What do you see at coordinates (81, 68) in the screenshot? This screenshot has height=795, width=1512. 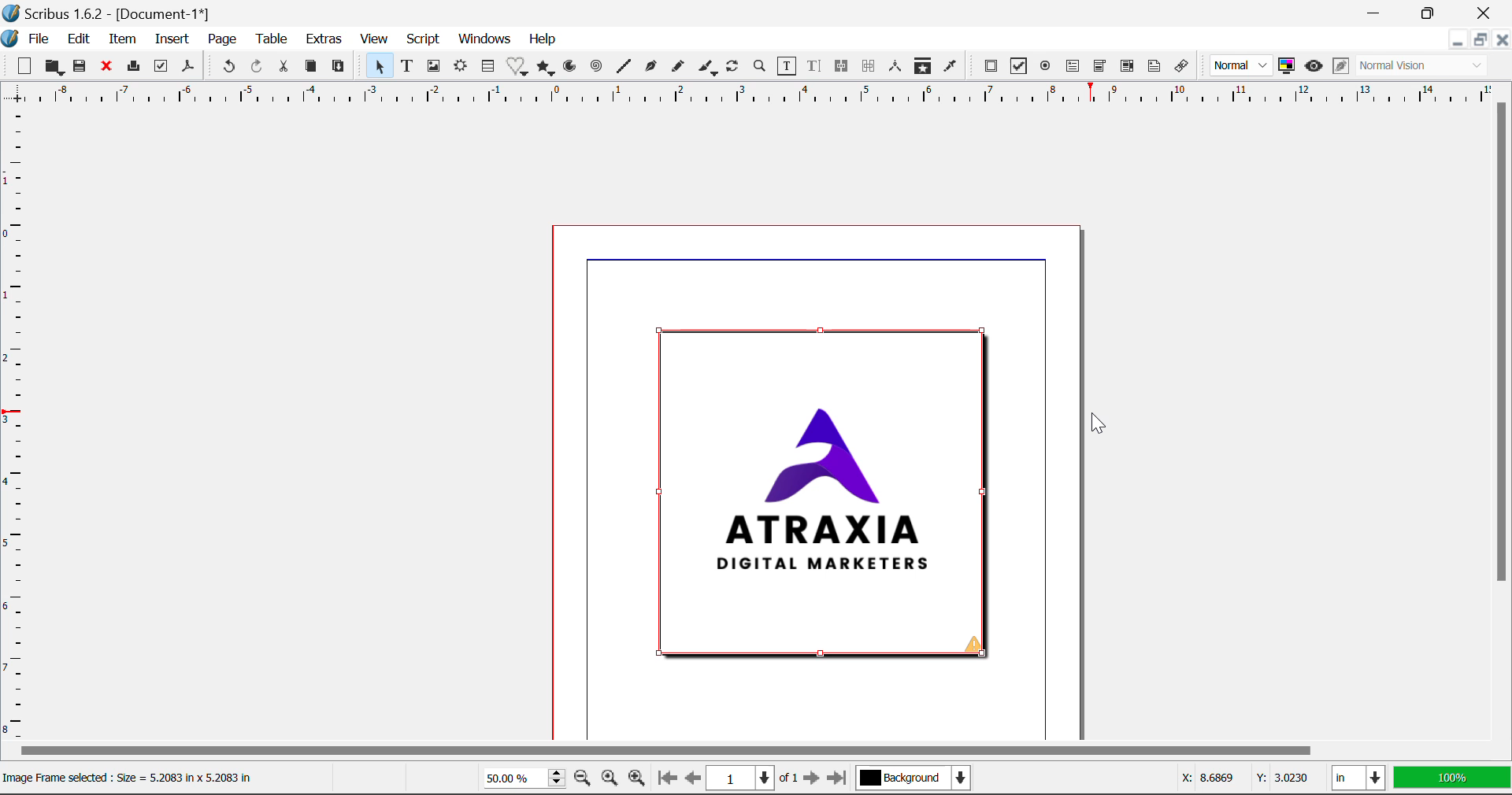 I see `Save` at bounding box center [81, 68].